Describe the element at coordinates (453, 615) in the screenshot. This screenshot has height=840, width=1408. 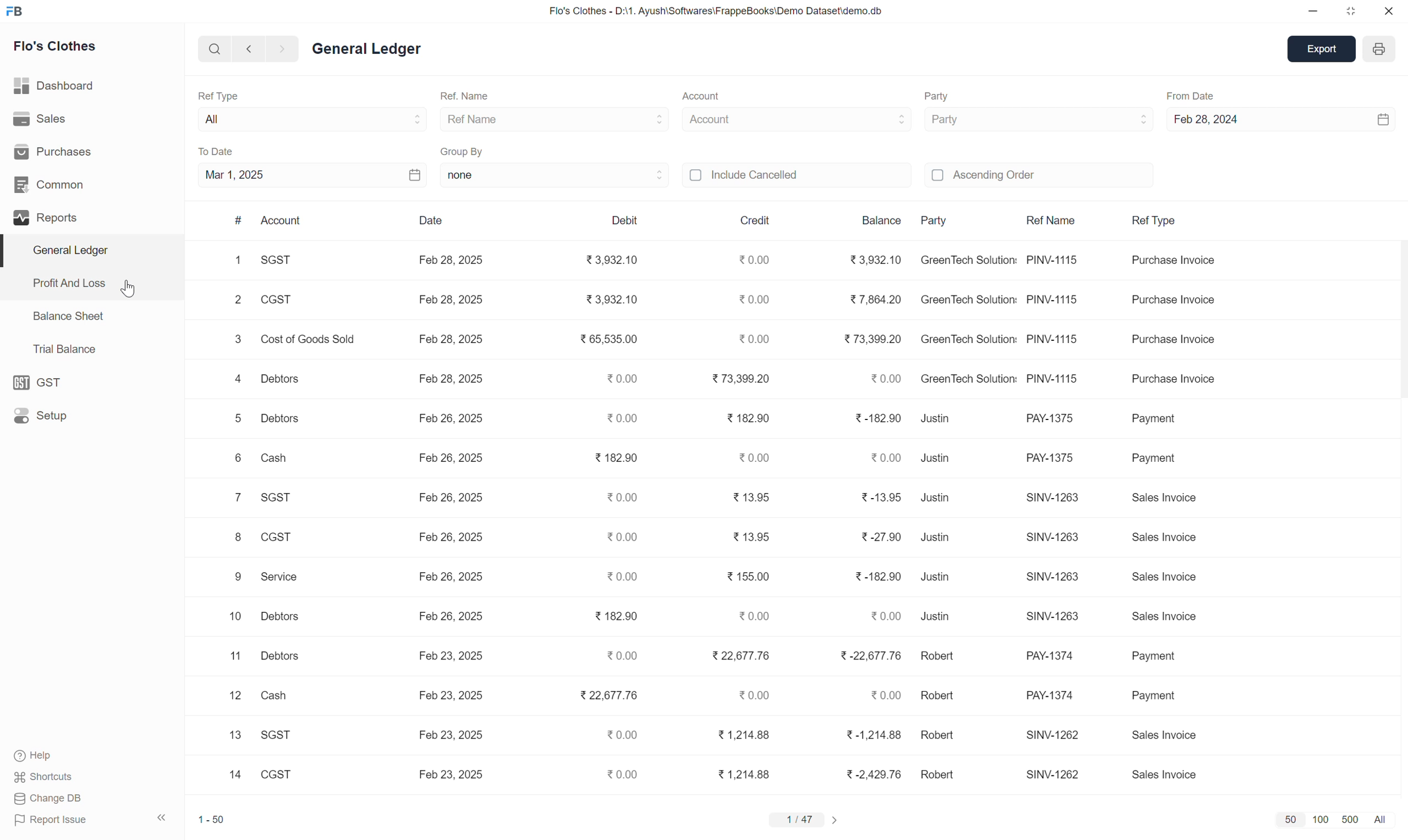
I see `Feb 26, 2025` at that location.